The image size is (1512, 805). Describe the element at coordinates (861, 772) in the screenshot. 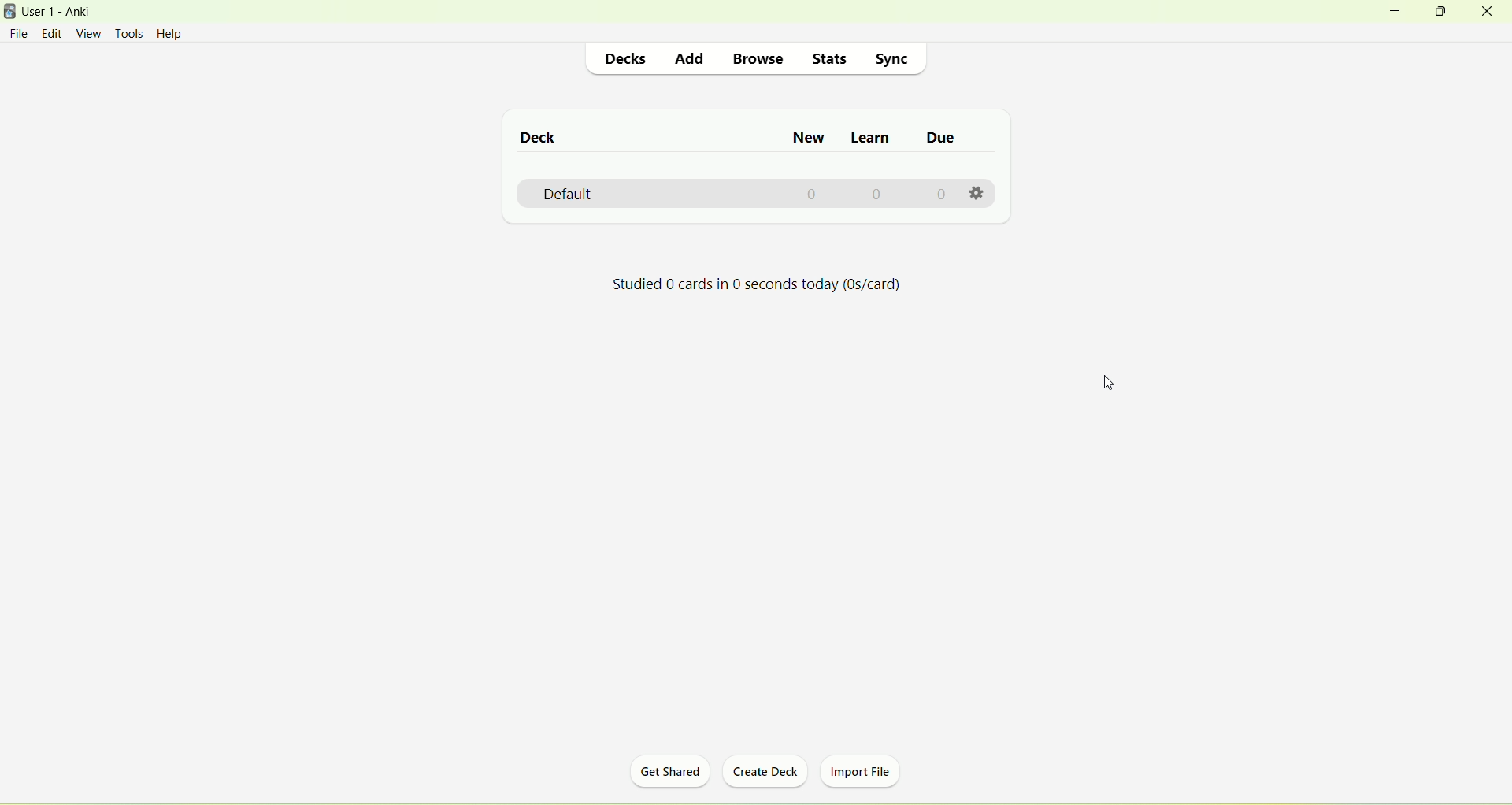

I see `import file` at that location.